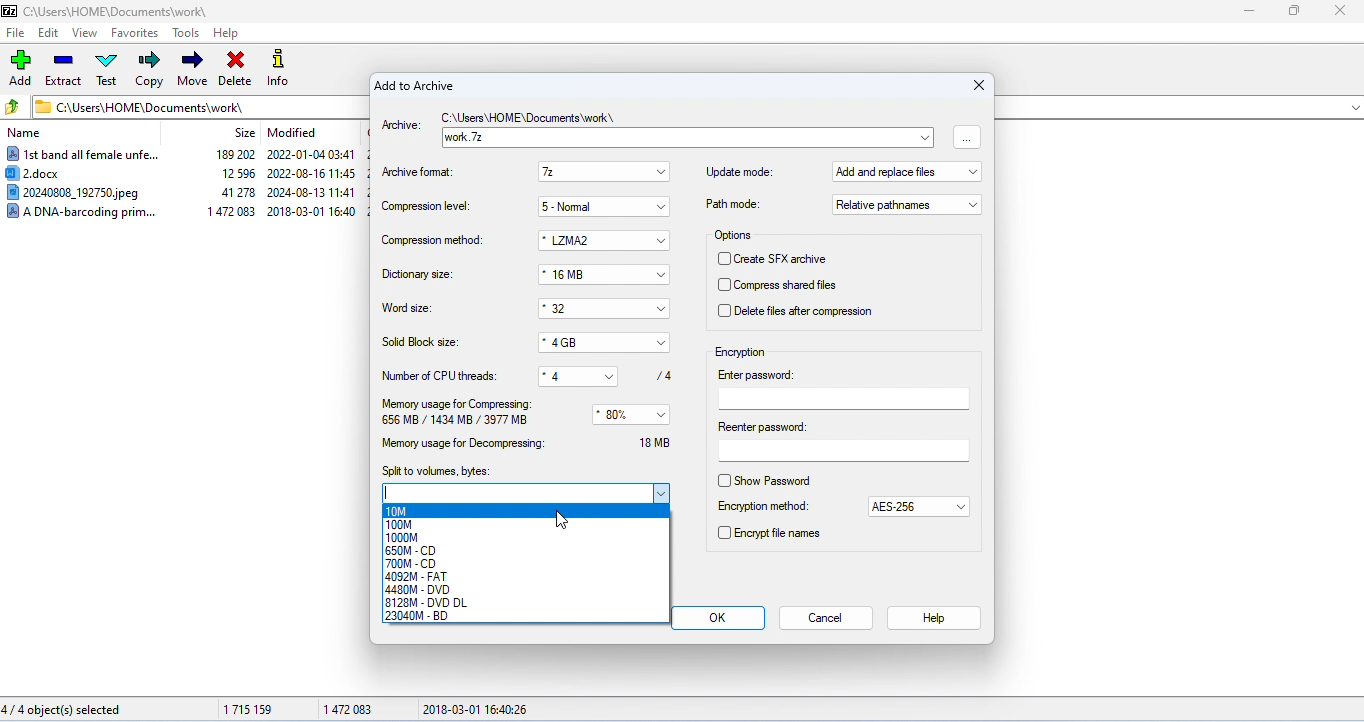 The width and height of the screenshot is (1364, 722). I want to click on *4, so click(567, 374).